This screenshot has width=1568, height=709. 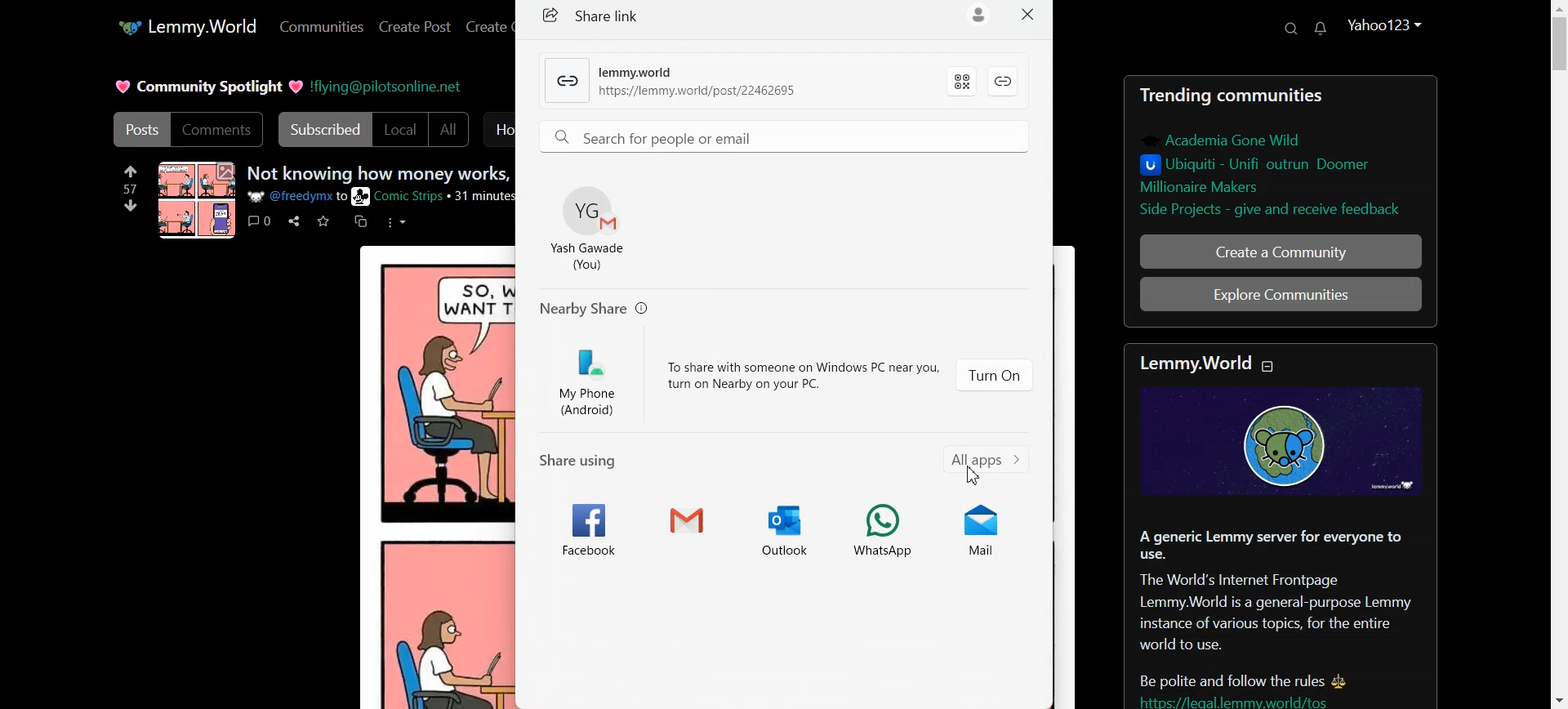 What do you see at coordinates (322, 129) in the screenshot?
I see `Subscribed` at bounding box center [322, 129].